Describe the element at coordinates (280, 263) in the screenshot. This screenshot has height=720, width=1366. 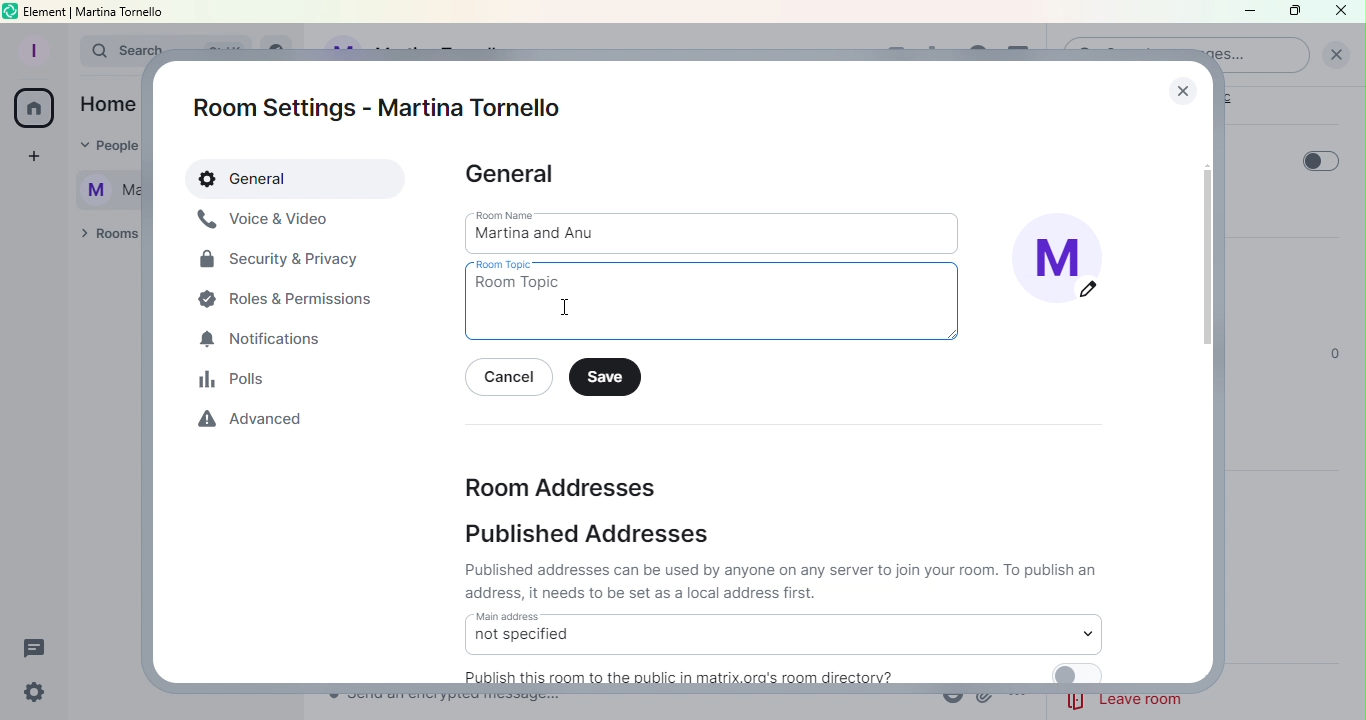
I see `Security and Privacy` at that location.